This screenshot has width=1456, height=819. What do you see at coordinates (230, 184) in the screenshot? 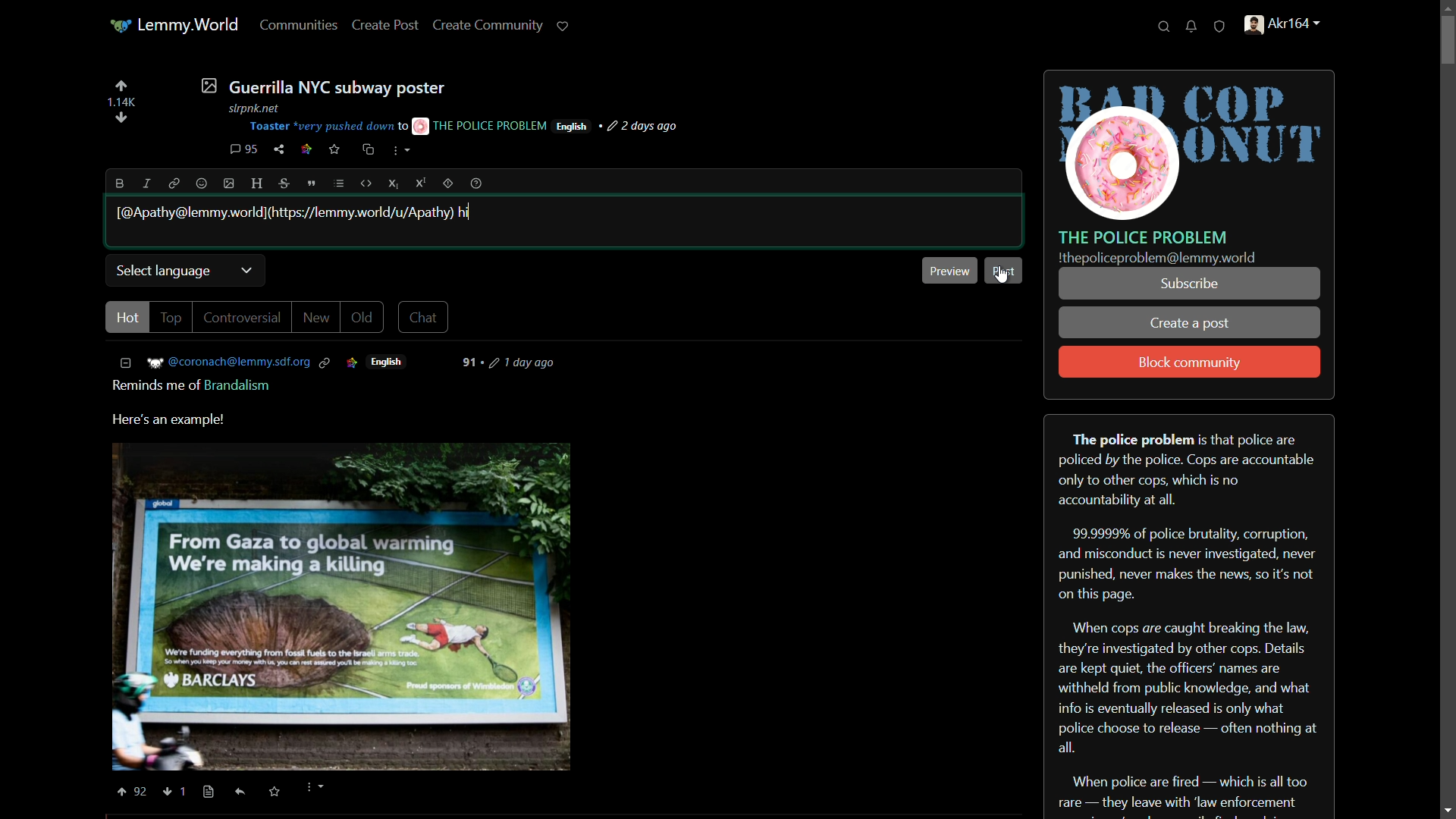
I see `image` at bounding box center [230, 184].